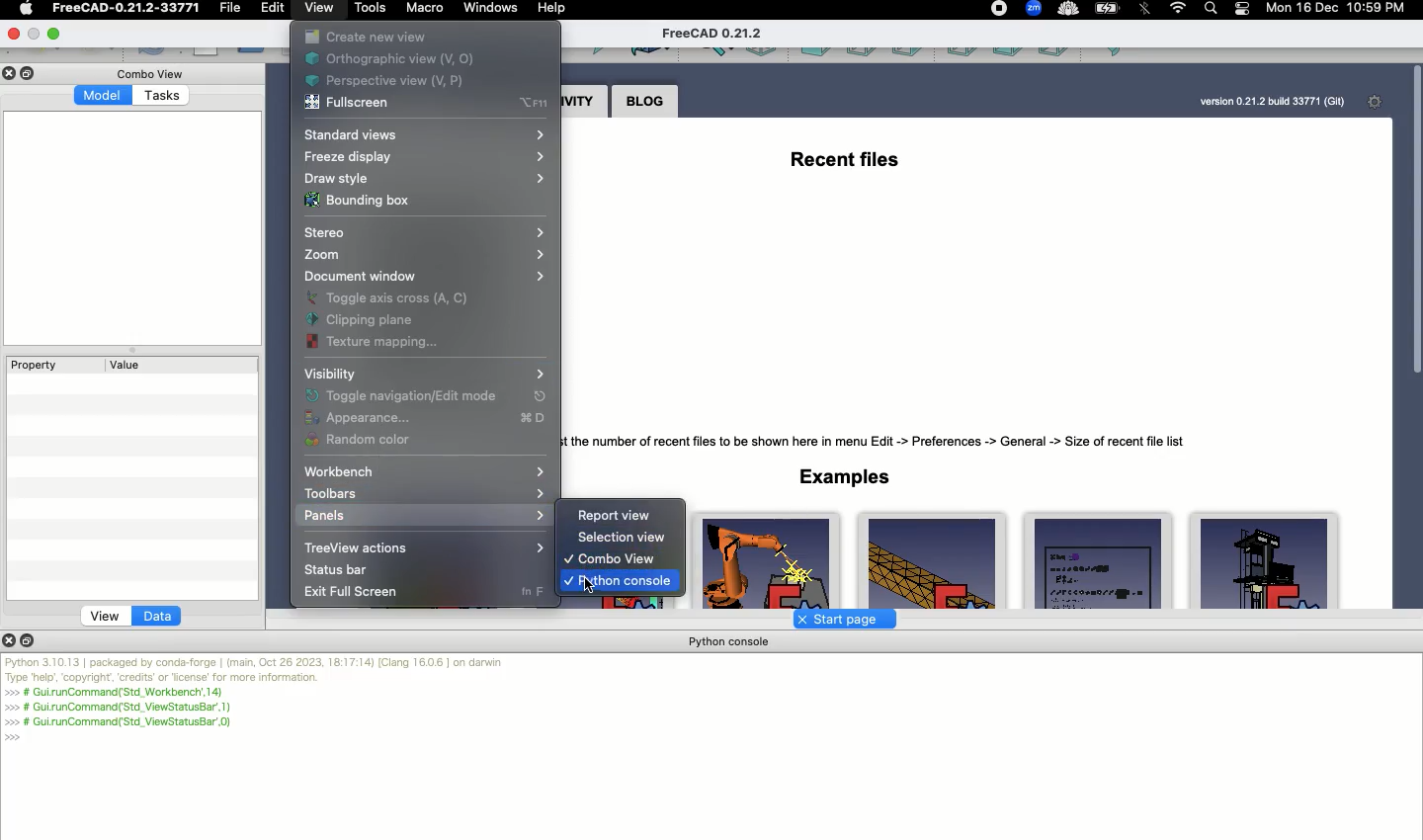 This screenshot has width=1423, height=840. What do you see at coordinates (1033, 10) in the screenshot?
I see `Zoom - extension` at bounding box center [1033, 10].